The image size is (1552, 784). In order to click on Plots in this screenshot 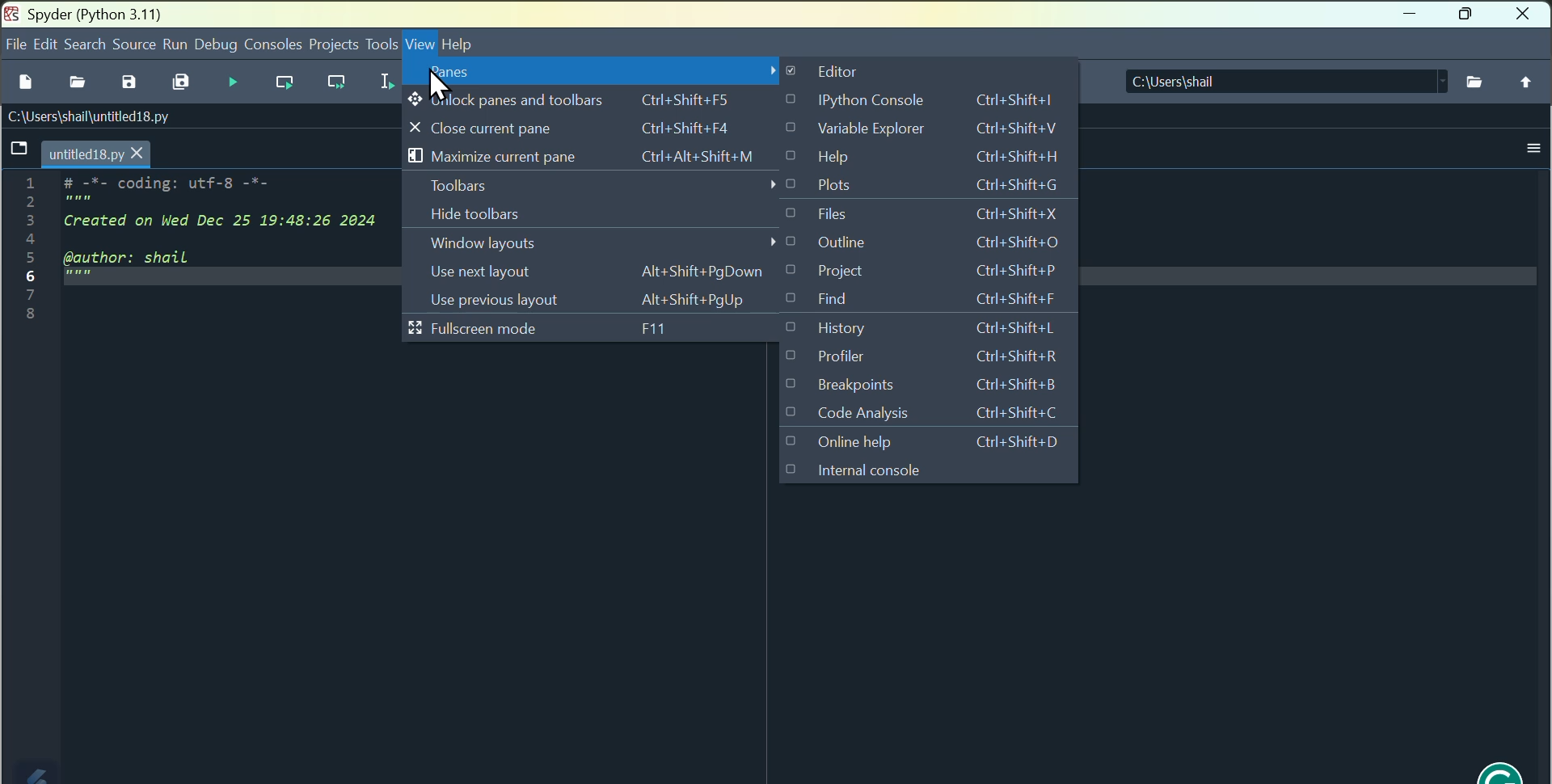, I will do `click(935, 188)`.